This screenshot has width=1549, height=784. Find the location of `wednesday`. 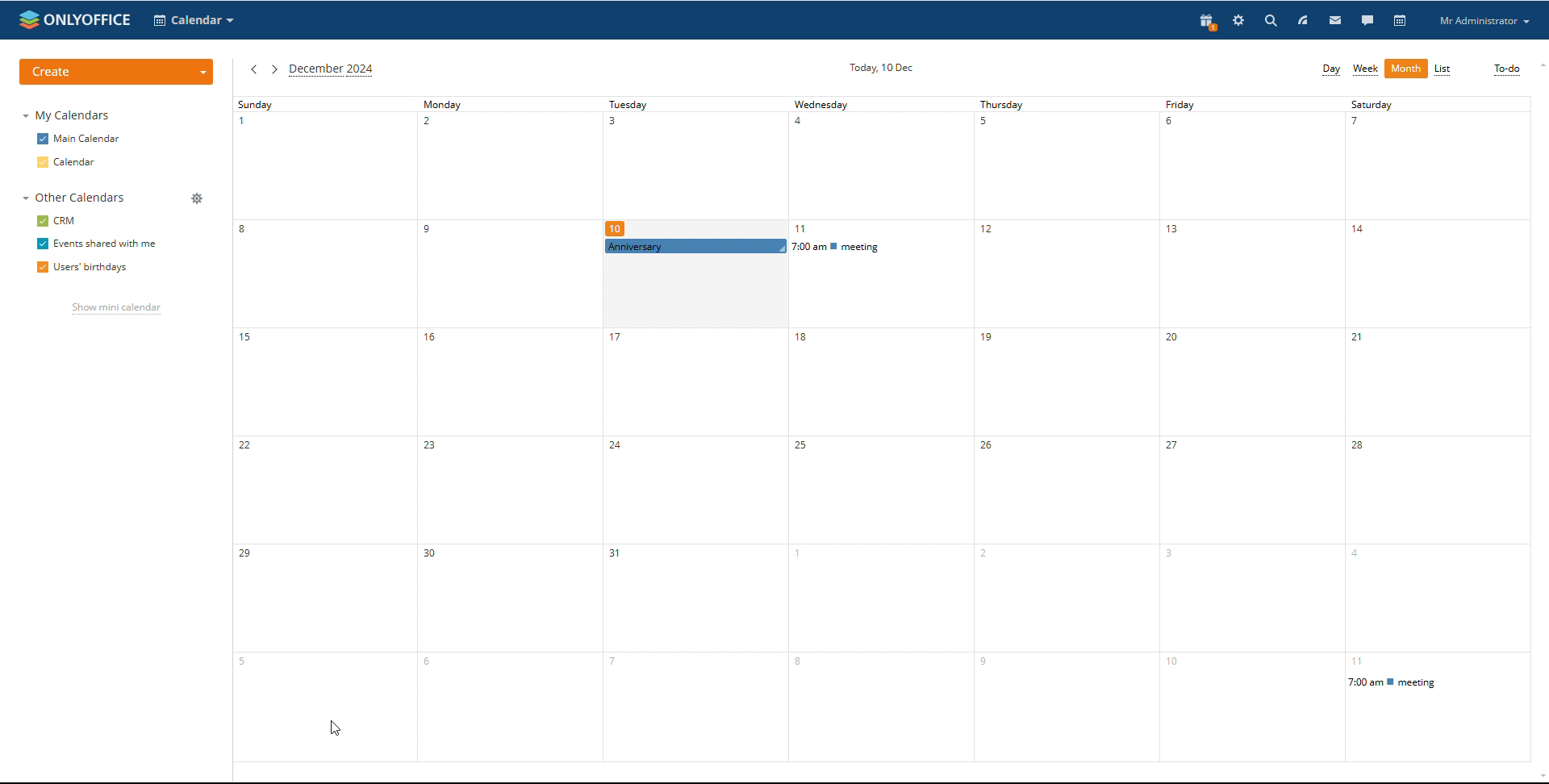

wednesday is located at coordinates (877, 512).